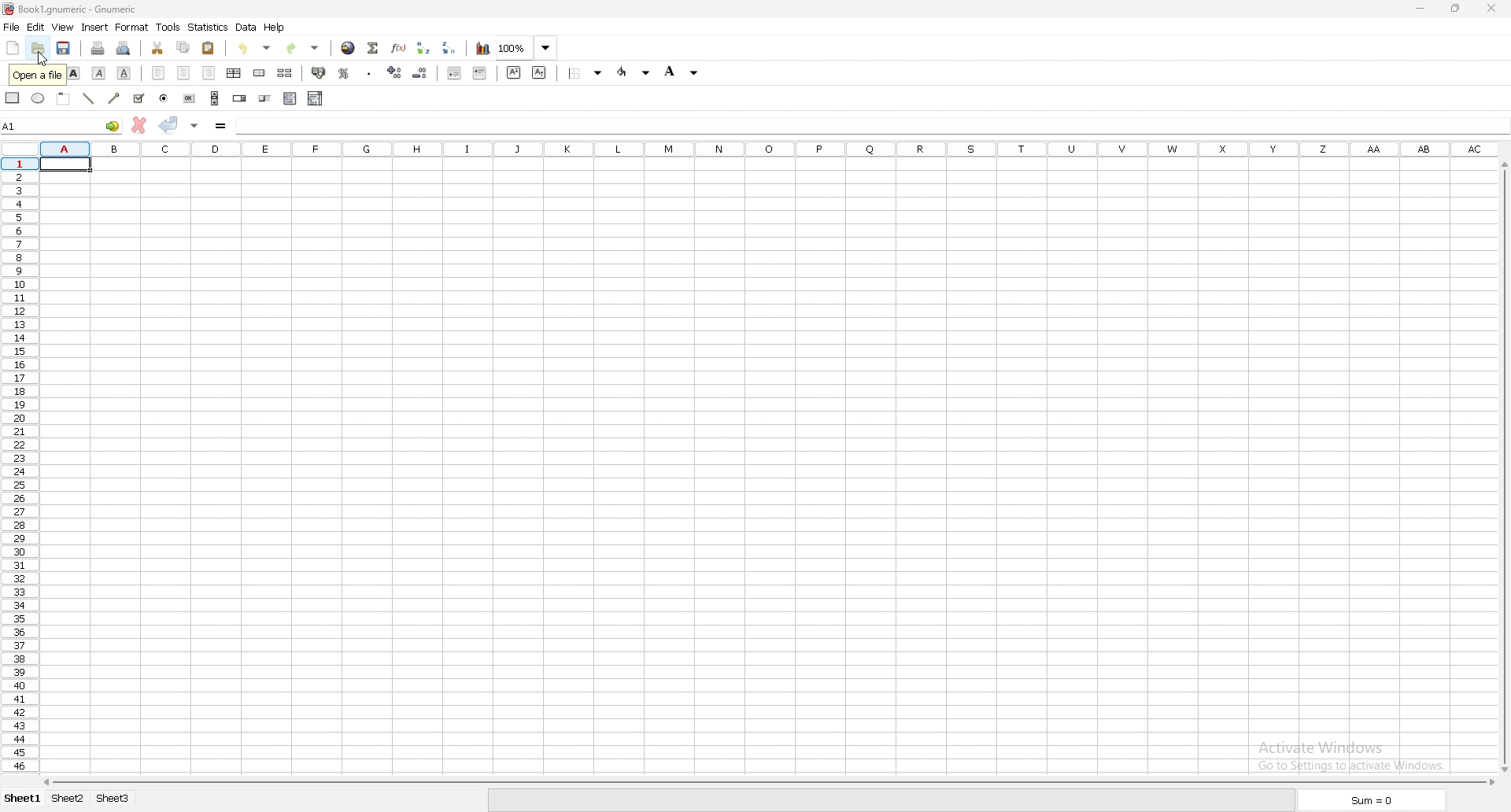 The height and width of the screenshot is (812, 1511). What do you see at coordinates (400, 48) in the screenshot?
I see `function` at bounding box center [400, 48].